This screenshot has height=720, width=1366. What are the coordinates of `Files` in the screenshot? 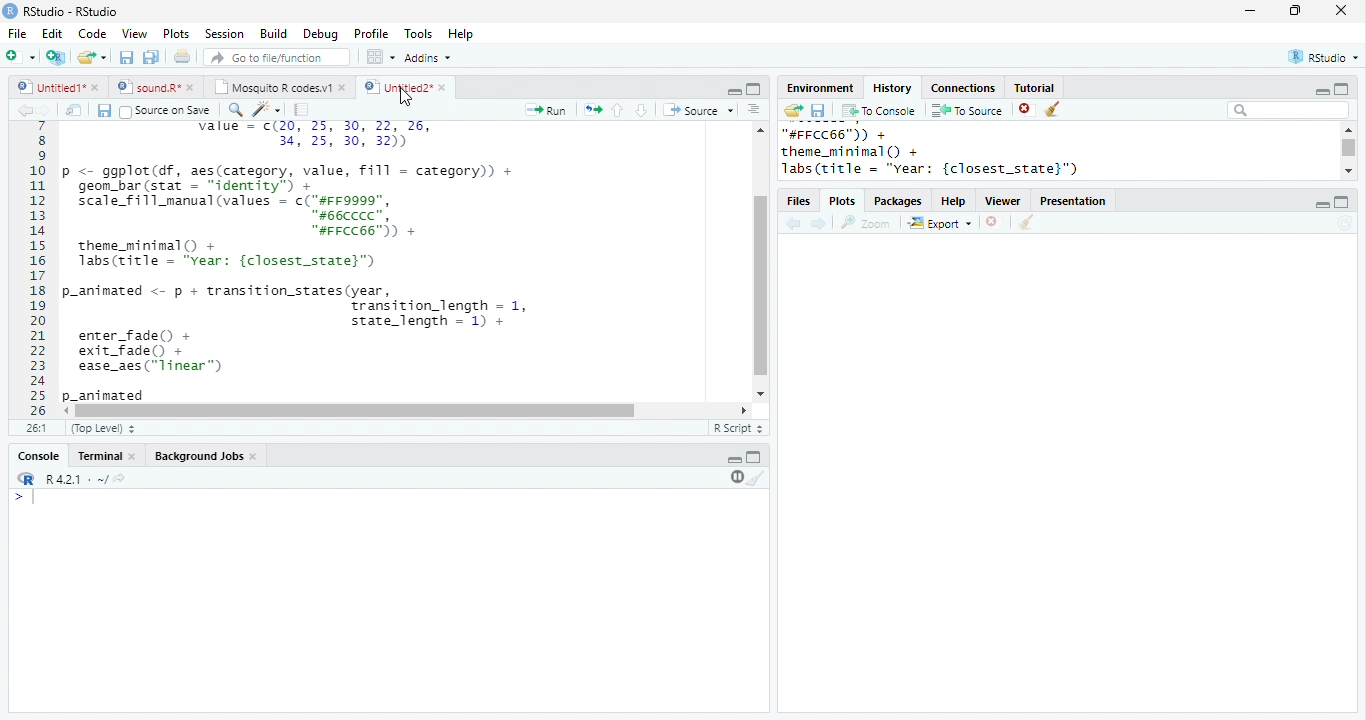 It's located at (798, 201).